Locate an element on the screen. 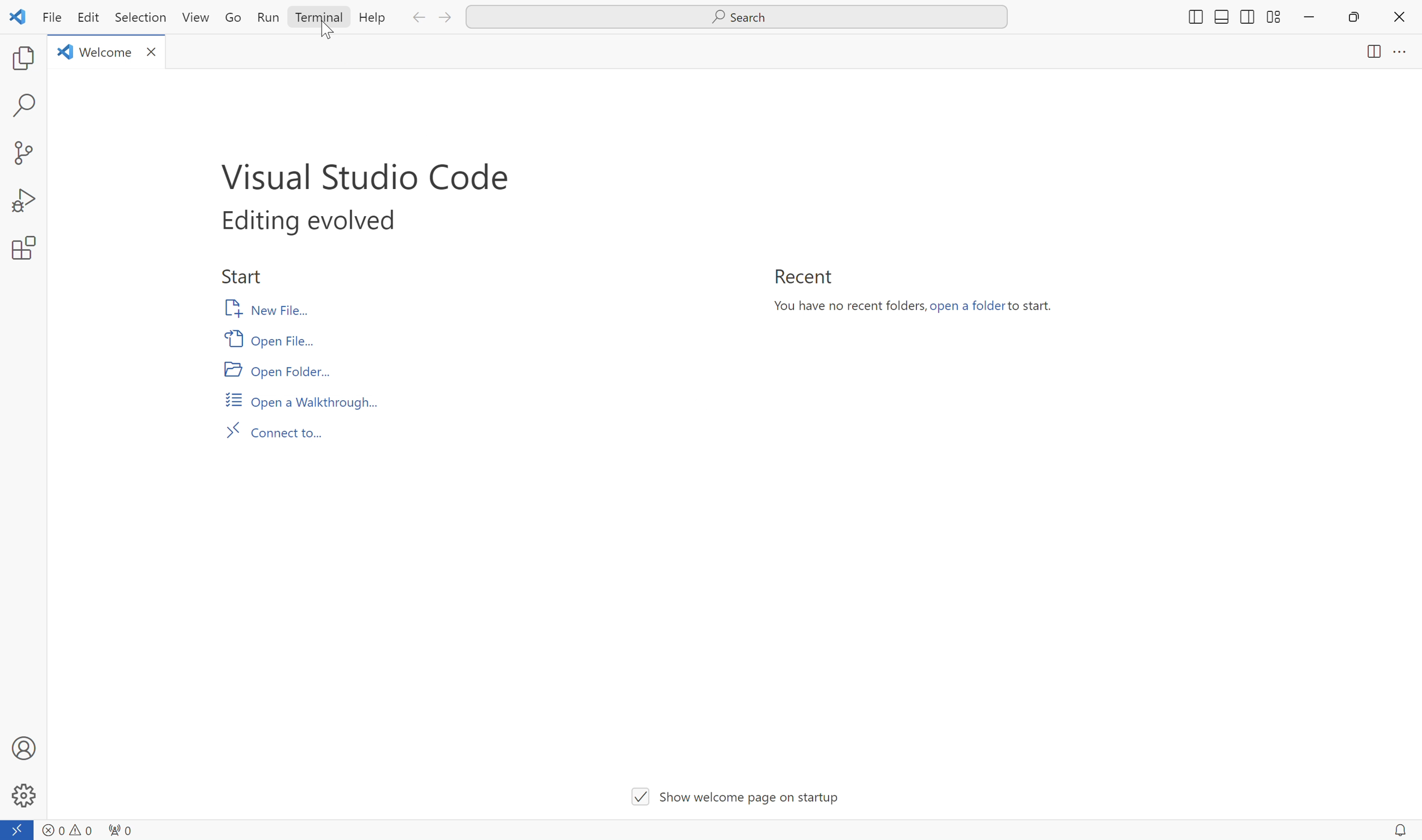 The image size is (1422, 840). Selection is located at coordinates (138, 18).